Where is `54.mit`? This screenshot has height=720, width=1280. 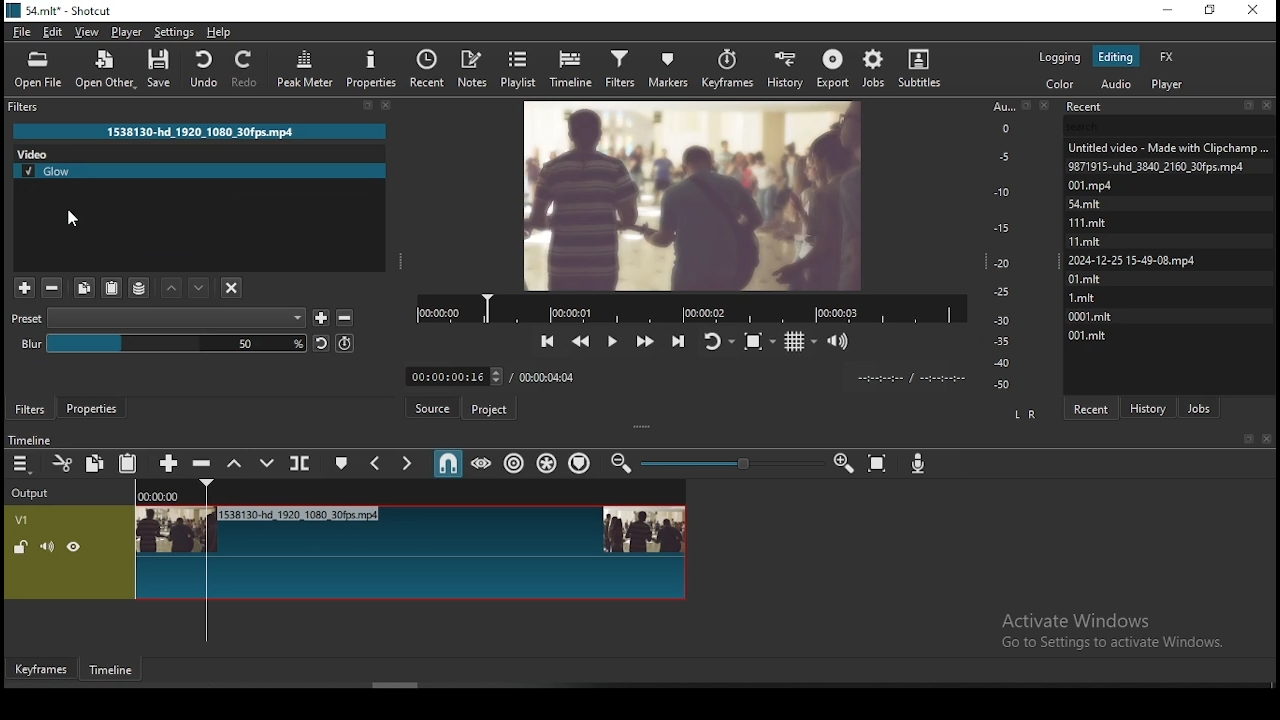 54.mit is located at coordinates (1108, 202).